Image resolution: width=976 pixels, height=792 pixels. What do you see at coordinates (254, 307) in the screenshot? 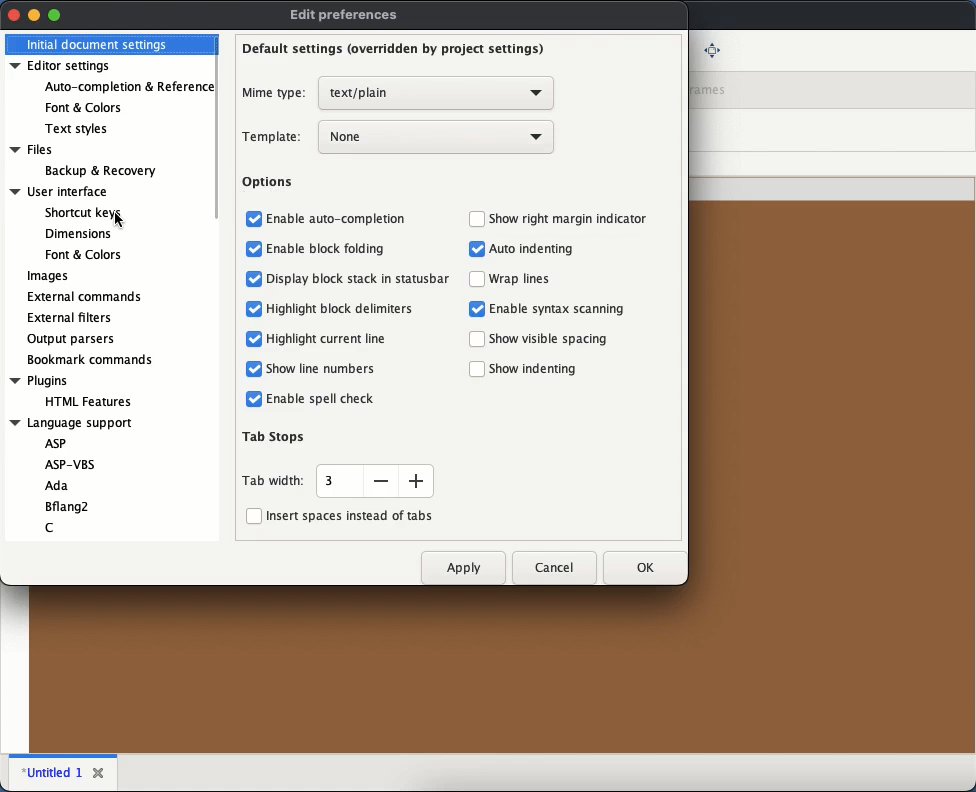
I see `checkbox enabled` at bounding box center [254, 307].